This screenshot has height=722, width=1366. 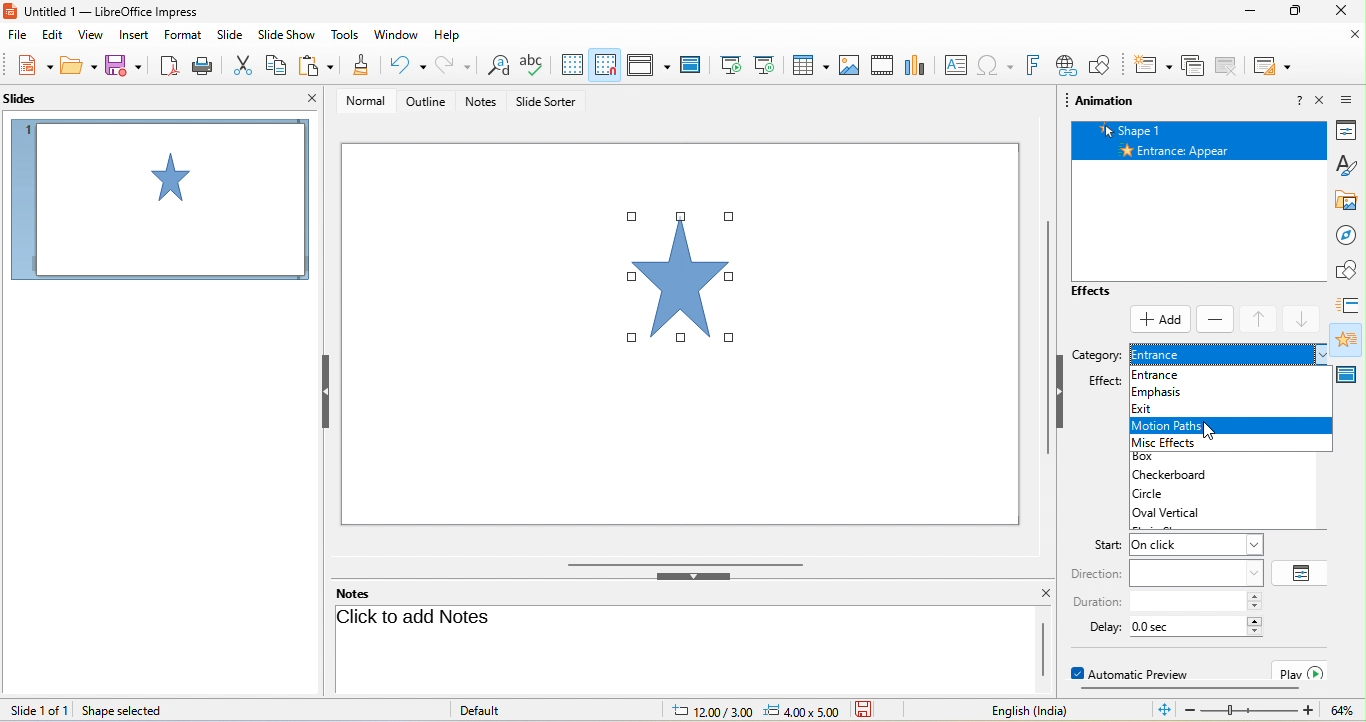 I want to click on exit, so click(x=1184, y=409).